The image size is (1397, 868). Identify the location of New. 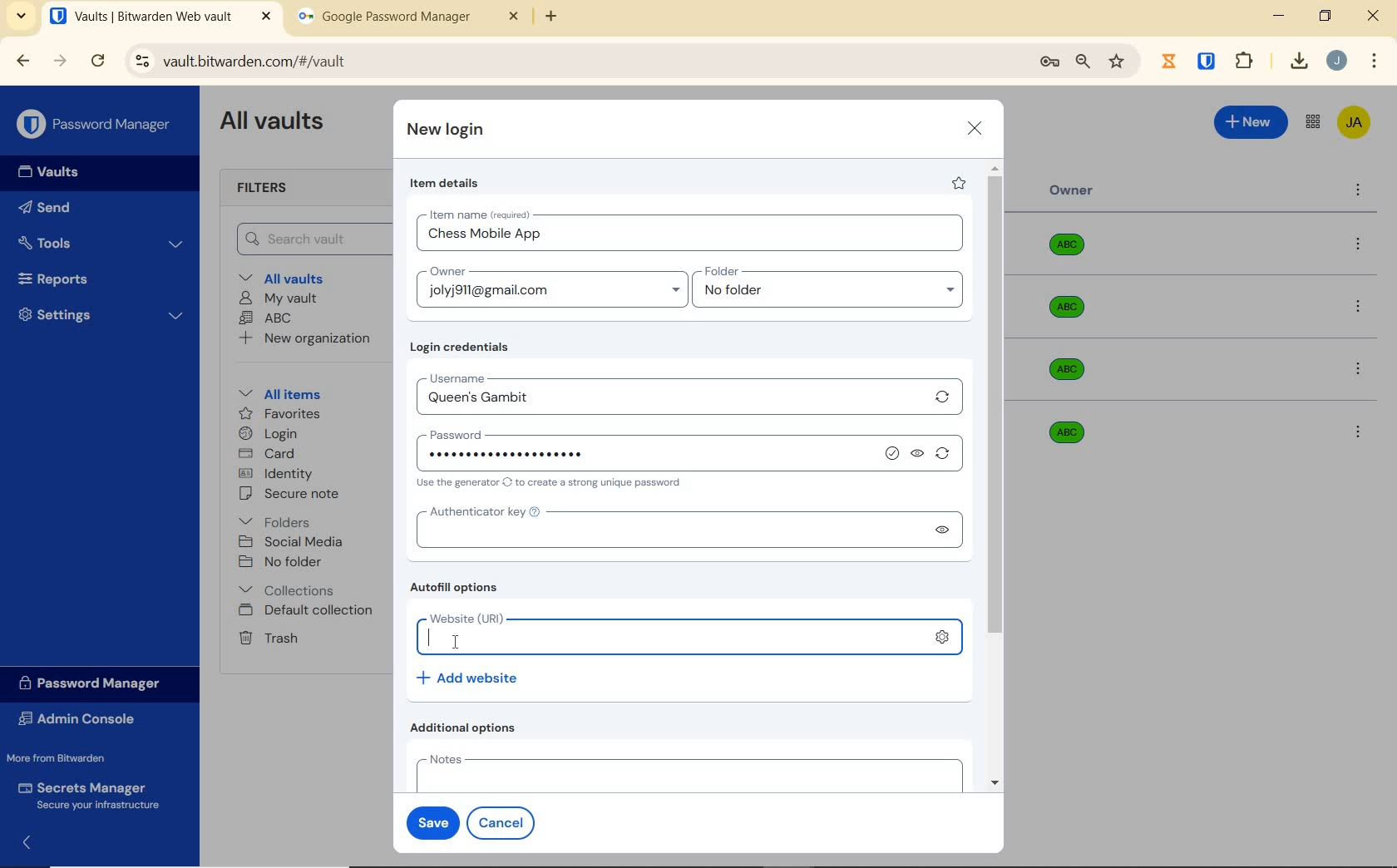
(1251, 120).